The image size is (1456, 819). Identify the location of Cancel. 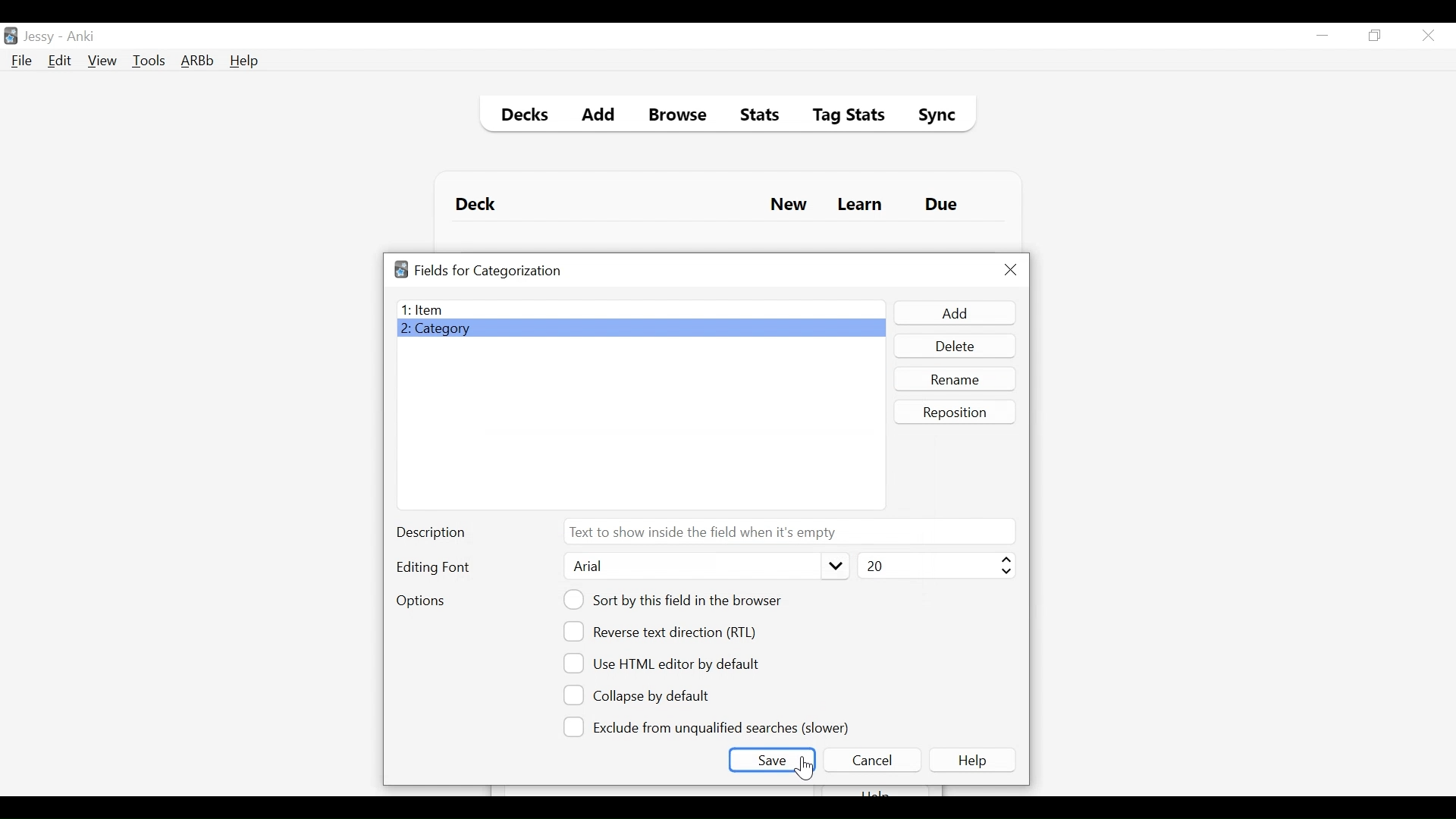
(871, 760).